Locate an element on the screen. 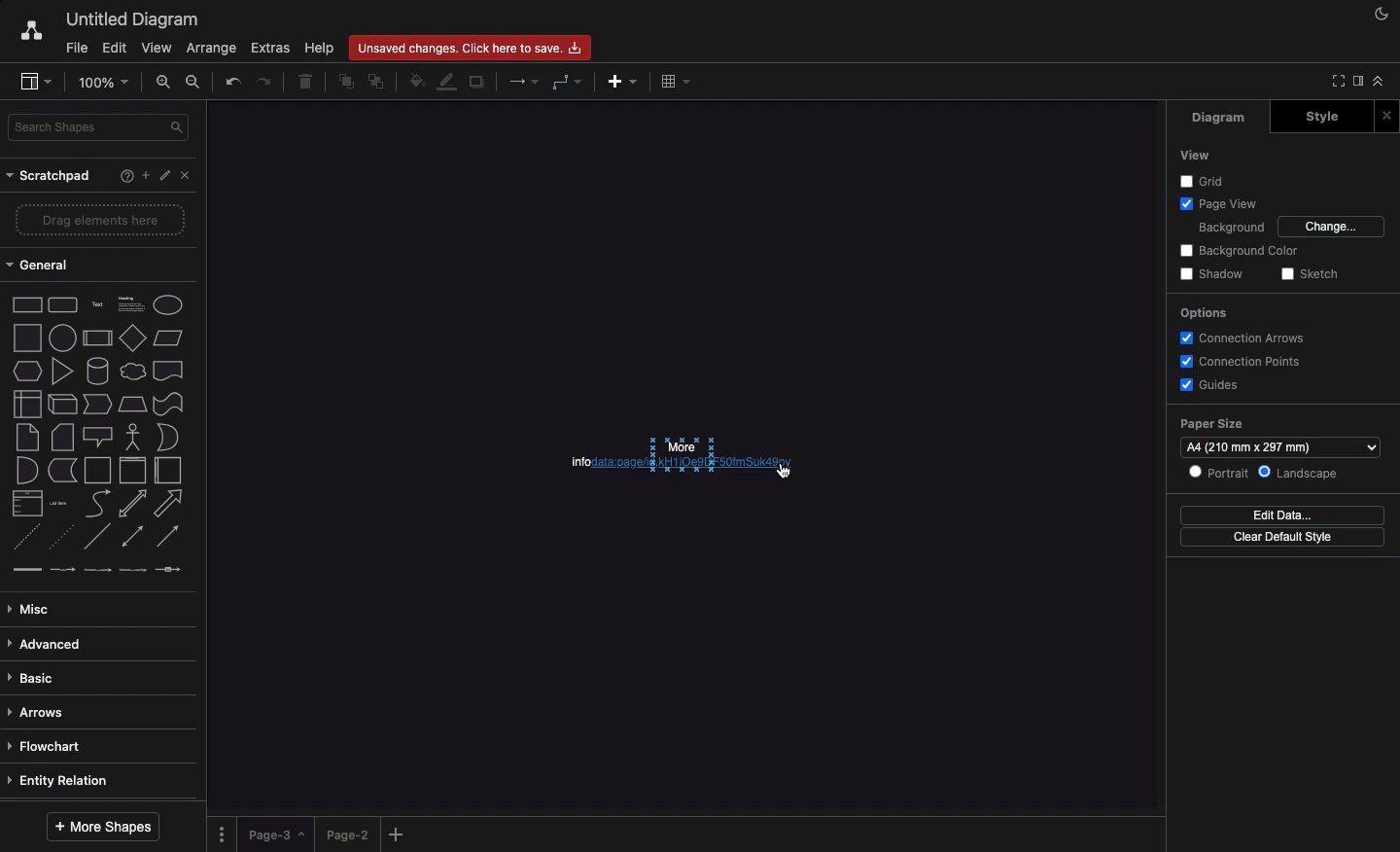 The height and width of the screenshot is (852, 1400). Collapse is located at coordinates (1378, 81).